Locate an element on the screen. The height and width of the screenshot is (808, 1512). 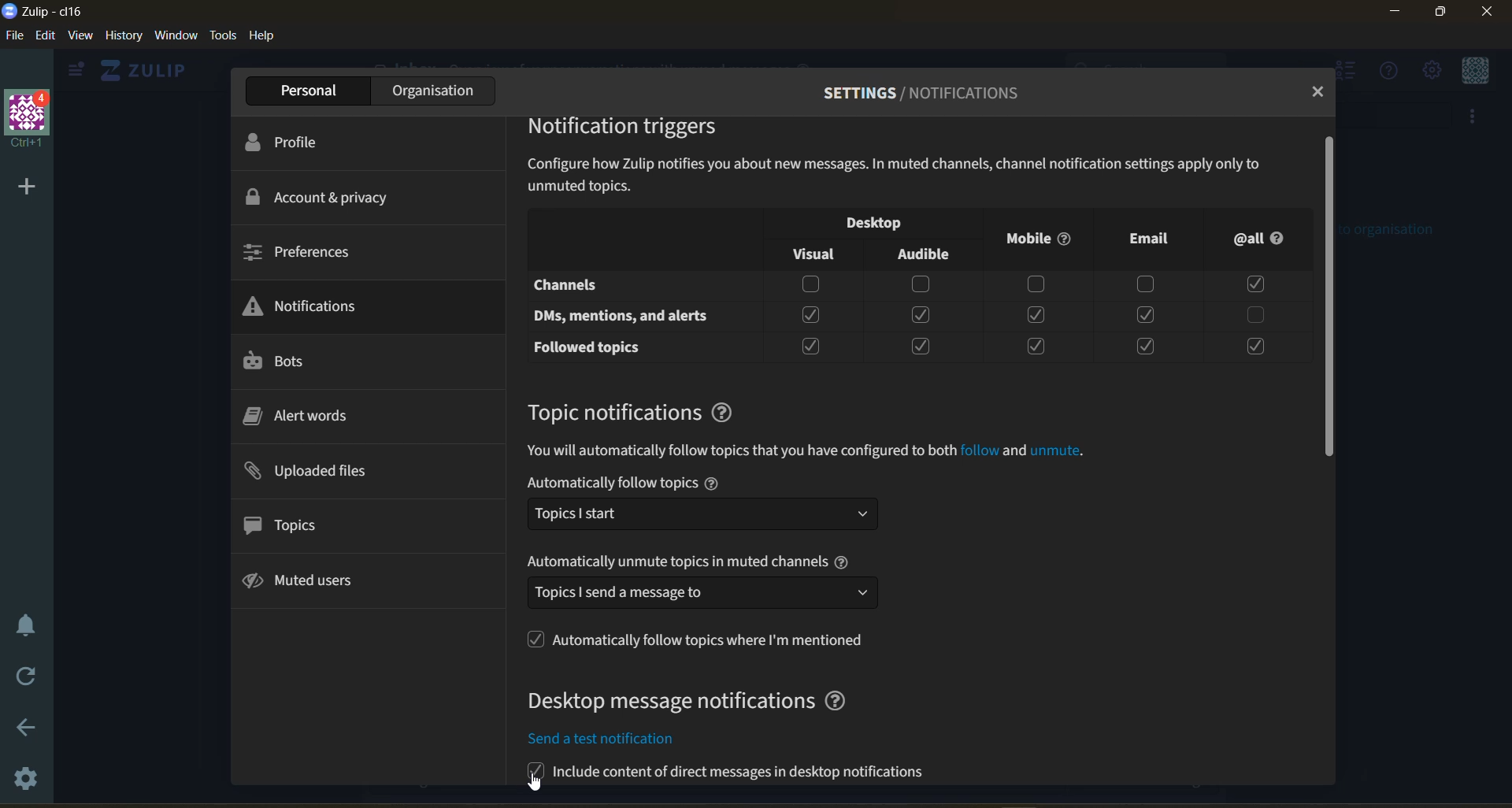
main menu is located at coordinates (1431, 70).